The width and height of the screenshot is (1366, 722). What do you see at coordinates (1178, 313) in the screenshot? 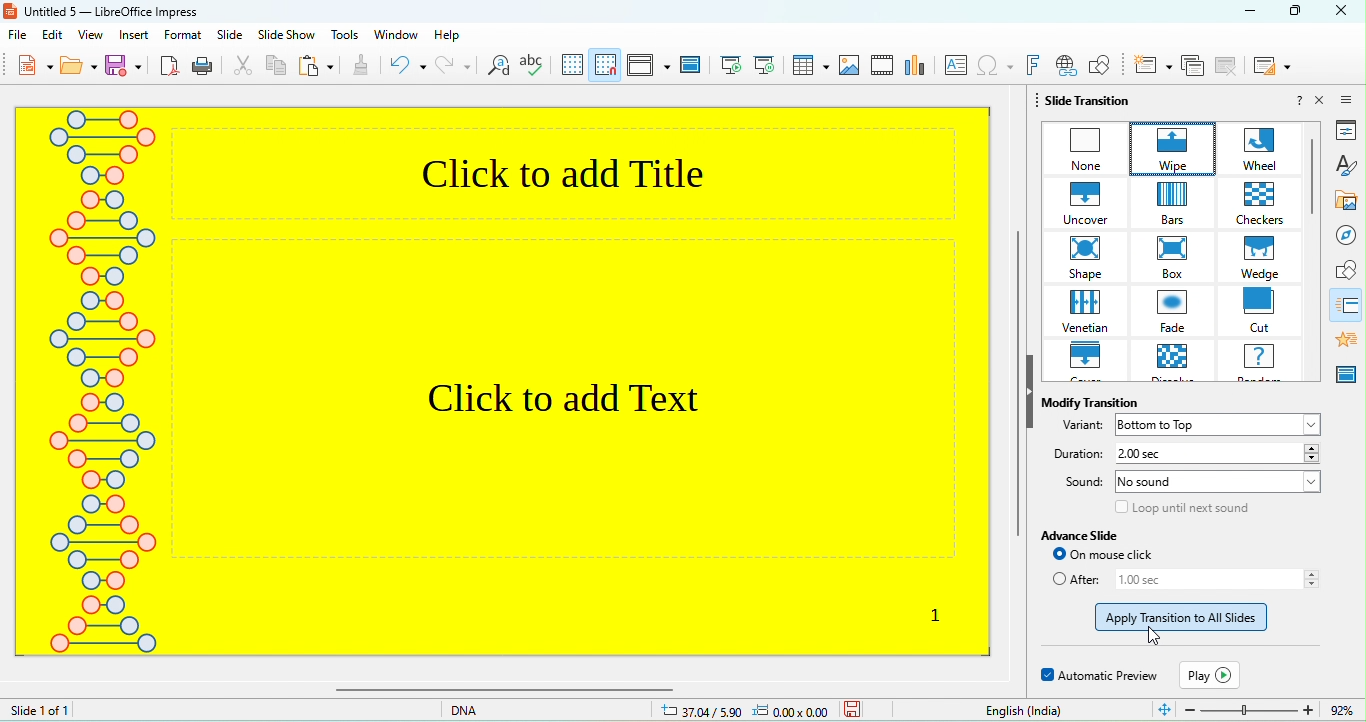
I see `fade` at bounding box center [1178, 313].